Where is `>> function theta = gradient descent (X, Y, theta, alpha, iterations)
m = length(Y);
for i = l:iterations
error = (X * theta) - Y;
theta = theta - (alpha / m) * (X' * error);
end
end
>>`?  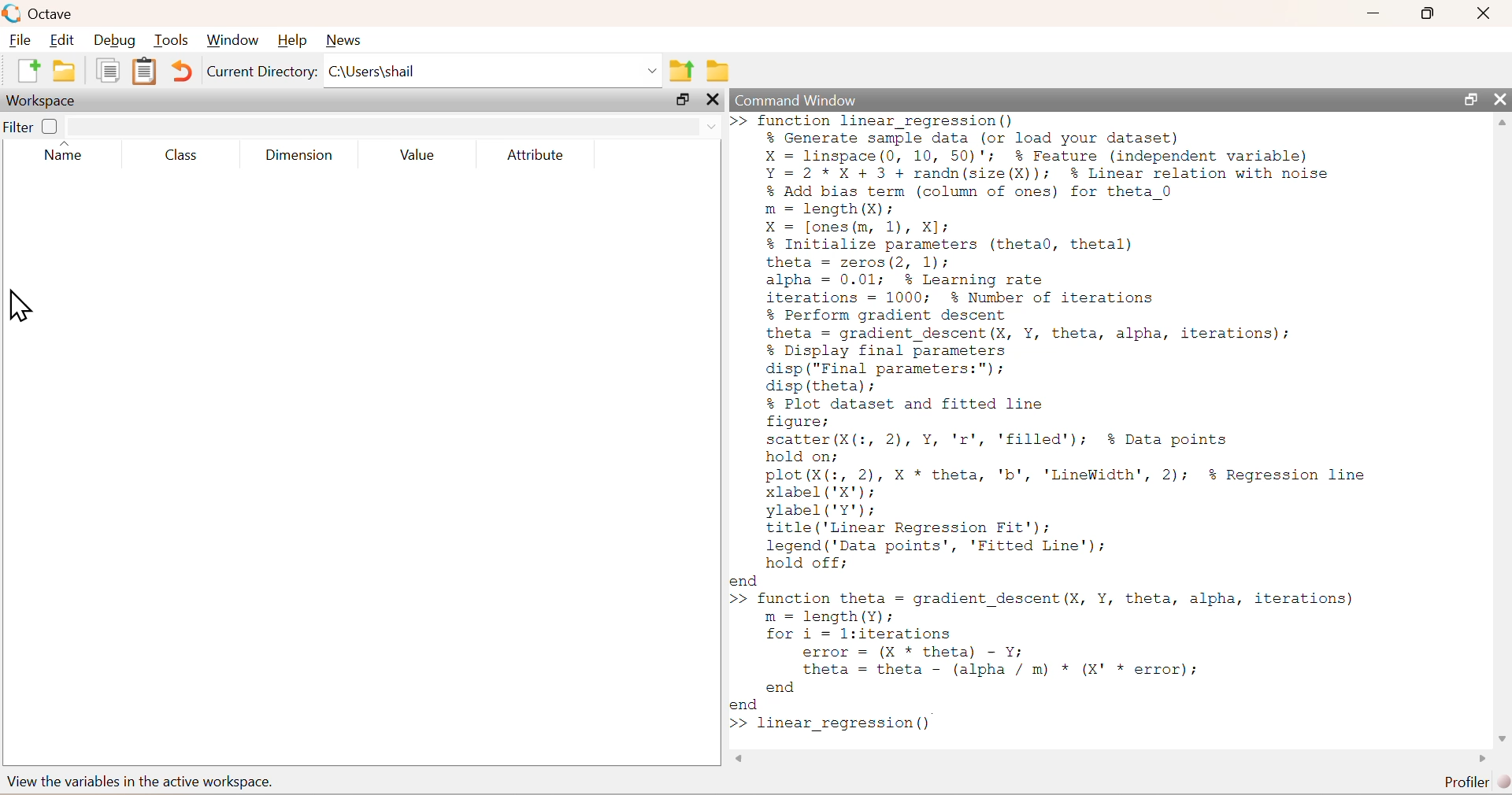 >> function theta = gradient descent (X, Y, theta, alpha, iterations)
m = length(Y);
for i = l:iterations
error = (X * theta) - Y;
theta = theta - (alpha / m) * (X' * error);
end
end
>> is located at coordinates (1051, 660).